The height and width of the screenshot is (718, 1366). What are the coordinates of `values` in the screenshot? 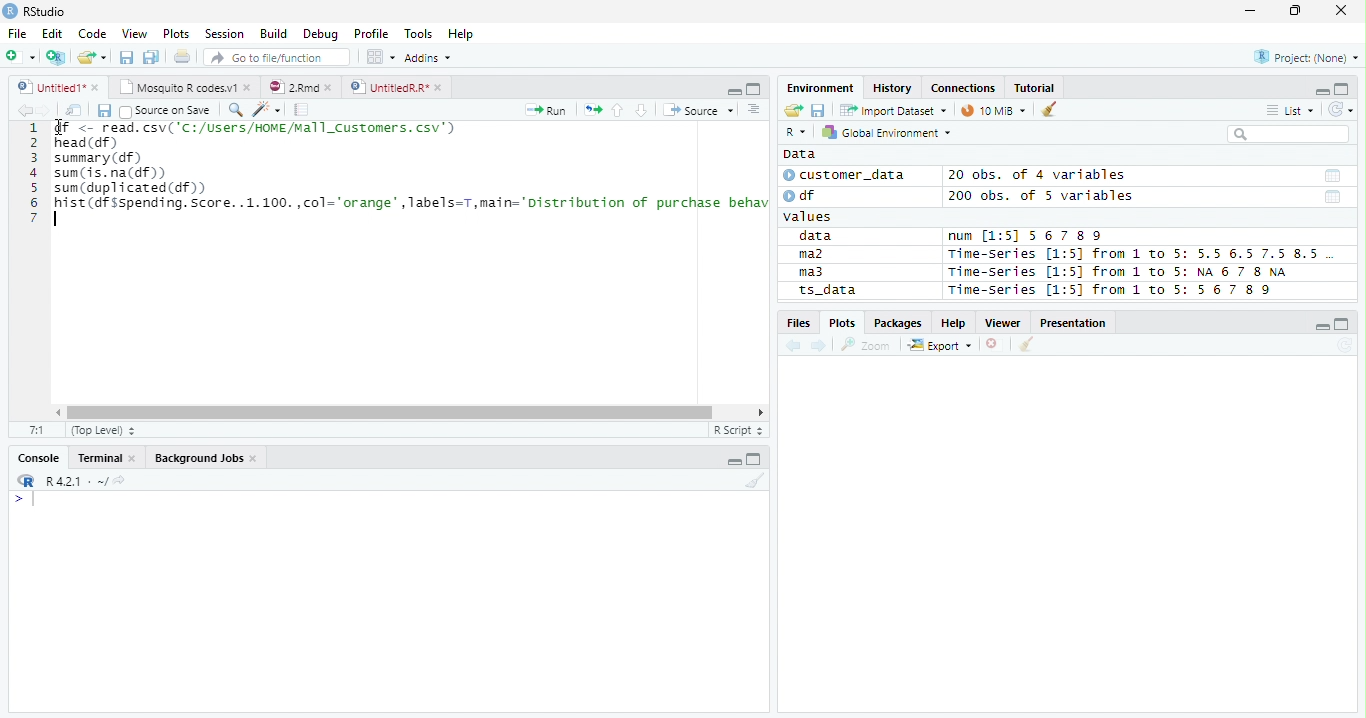 It's located at (810, 217).